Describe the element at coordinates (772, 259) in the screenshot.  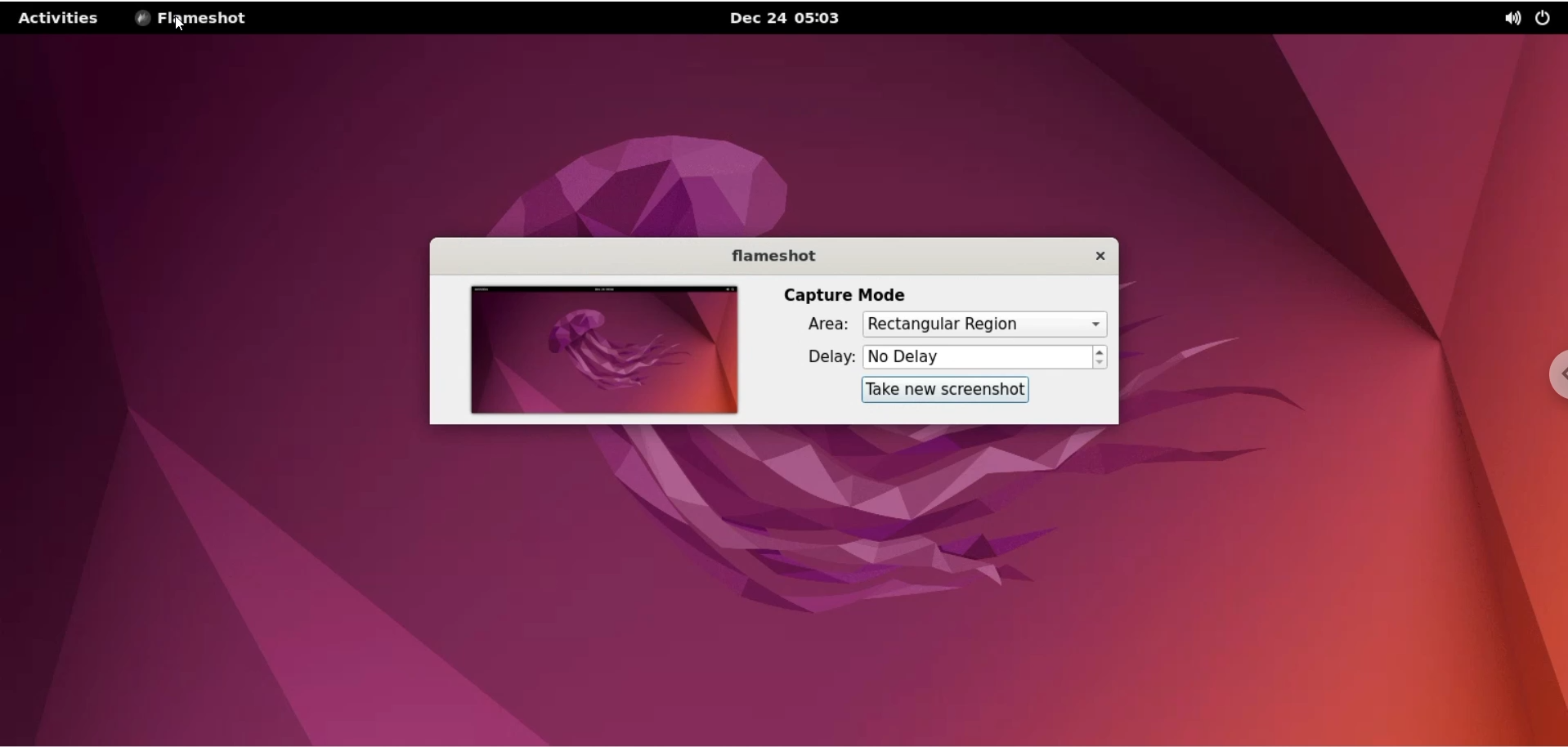
I see `flameshot` at that location.